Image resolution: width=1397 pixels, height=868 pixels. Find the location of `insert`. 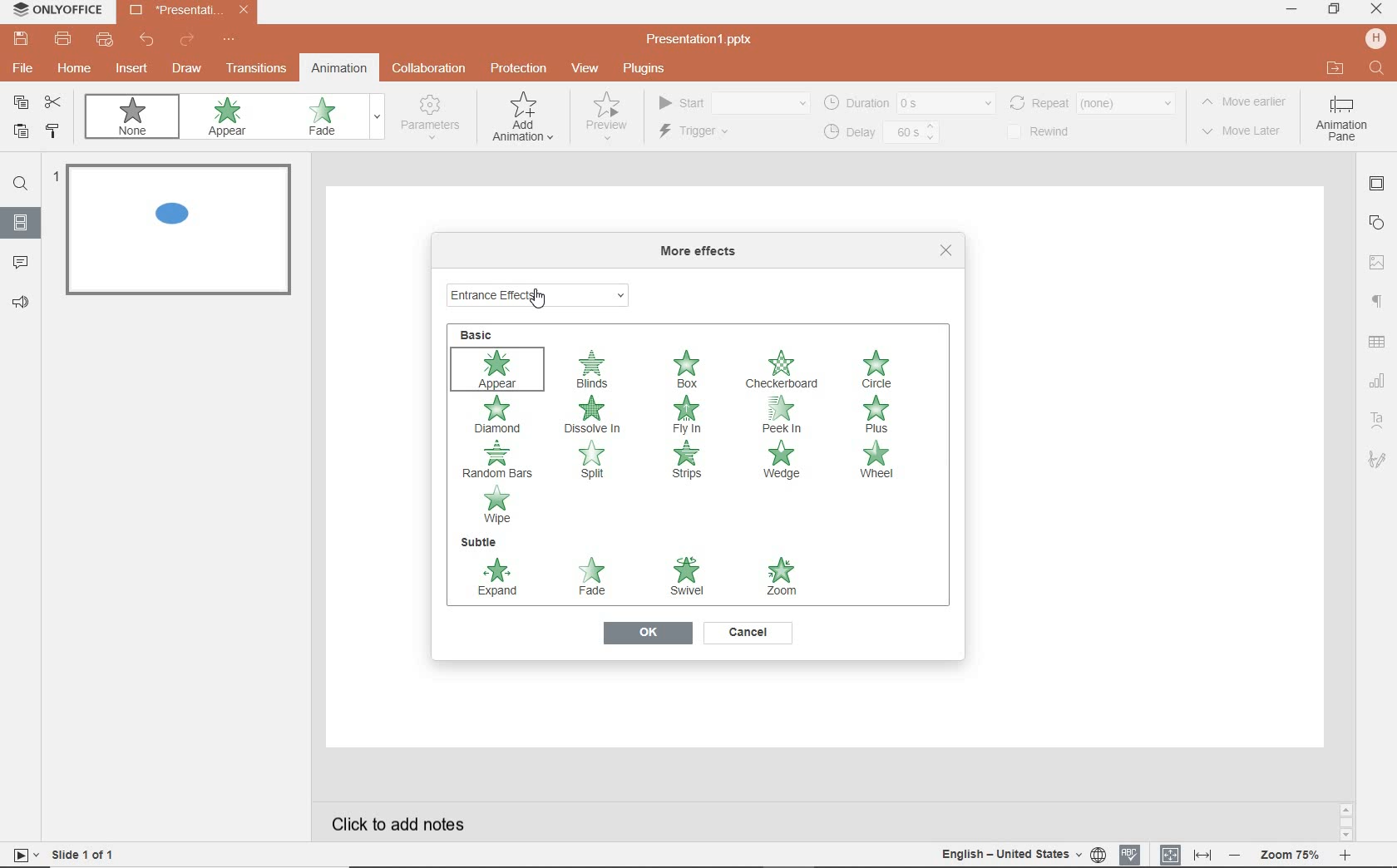

insert is located at coordinates (129, 69).